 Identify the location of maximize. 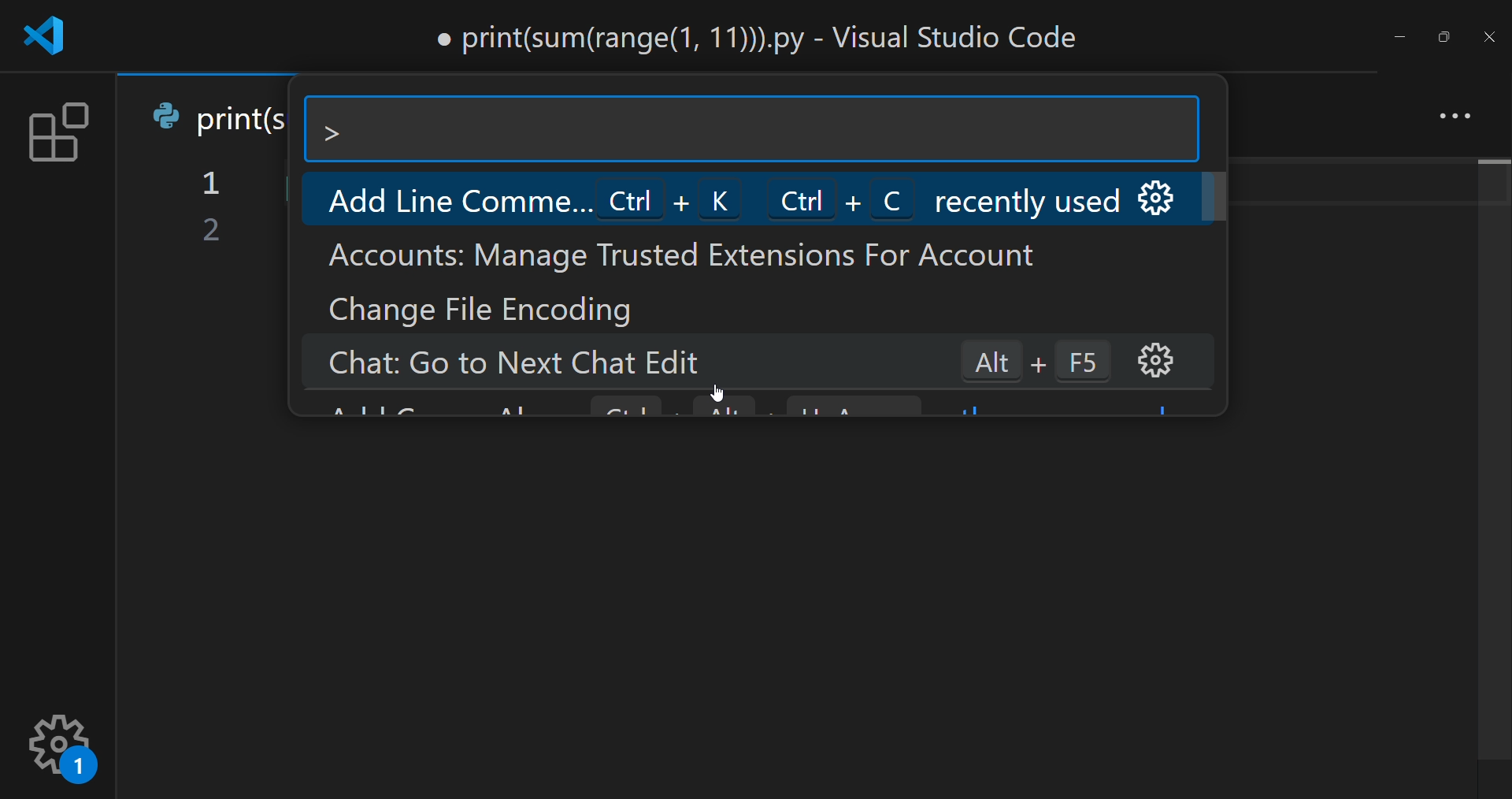
(1440, 33).